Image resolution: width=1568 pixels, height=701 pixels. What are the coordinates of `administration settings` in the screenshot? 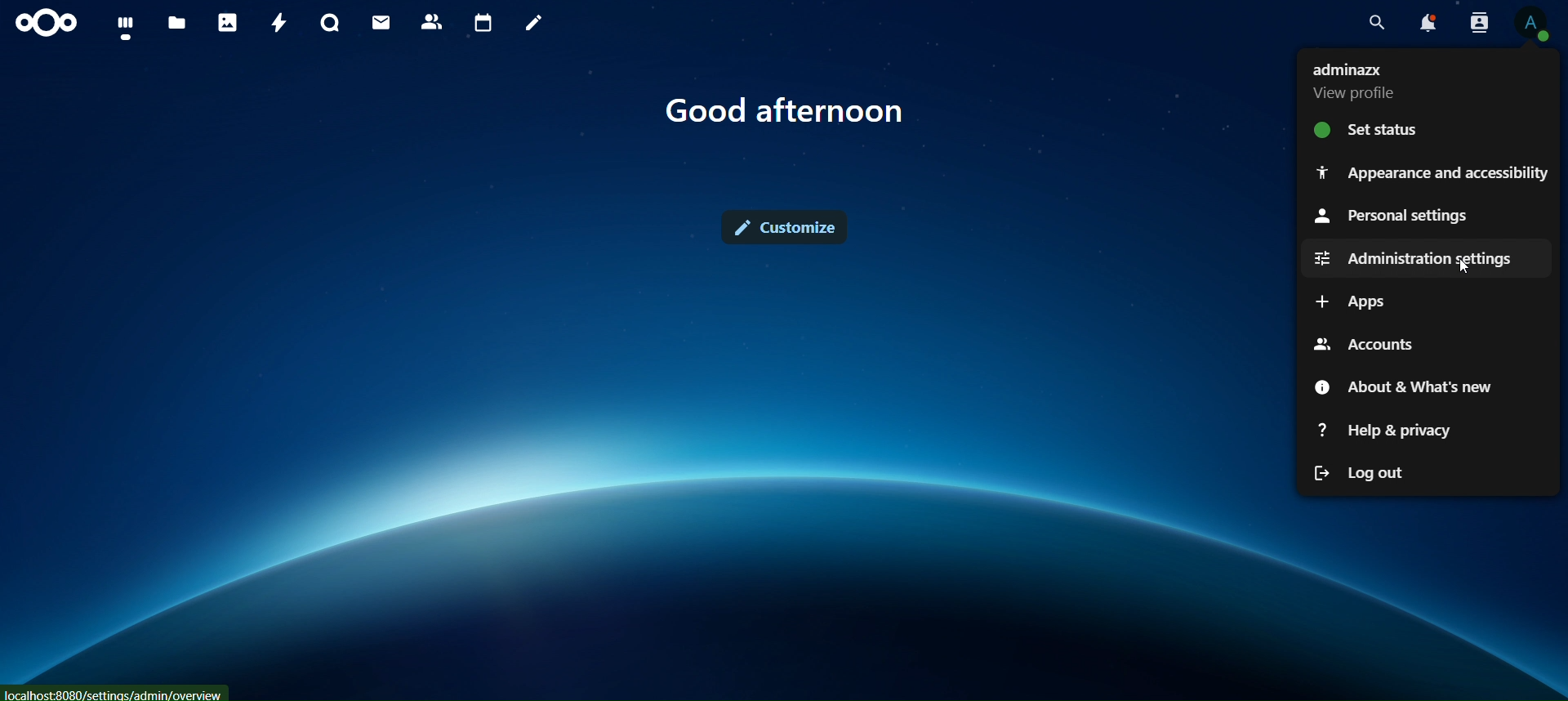 It's located at (1424, 258).